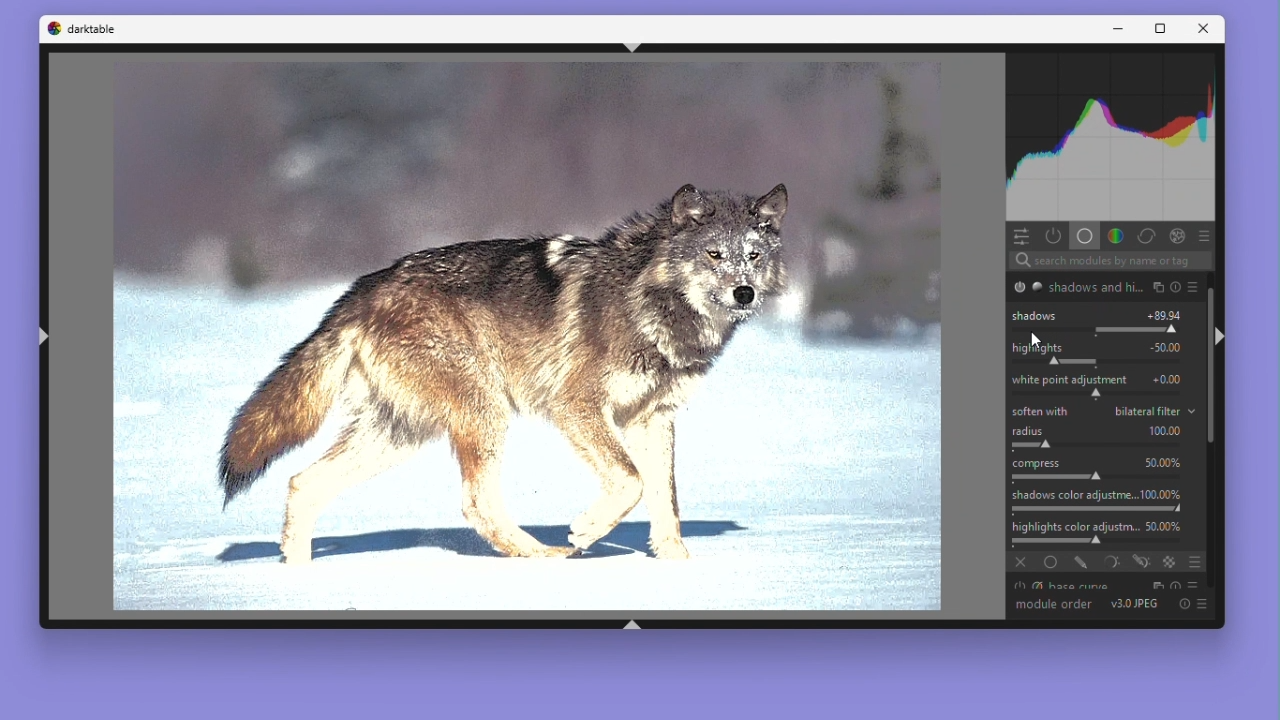  Describe the element at coordinates (1196, 585) in the screenshot. I see `presets` at that location.